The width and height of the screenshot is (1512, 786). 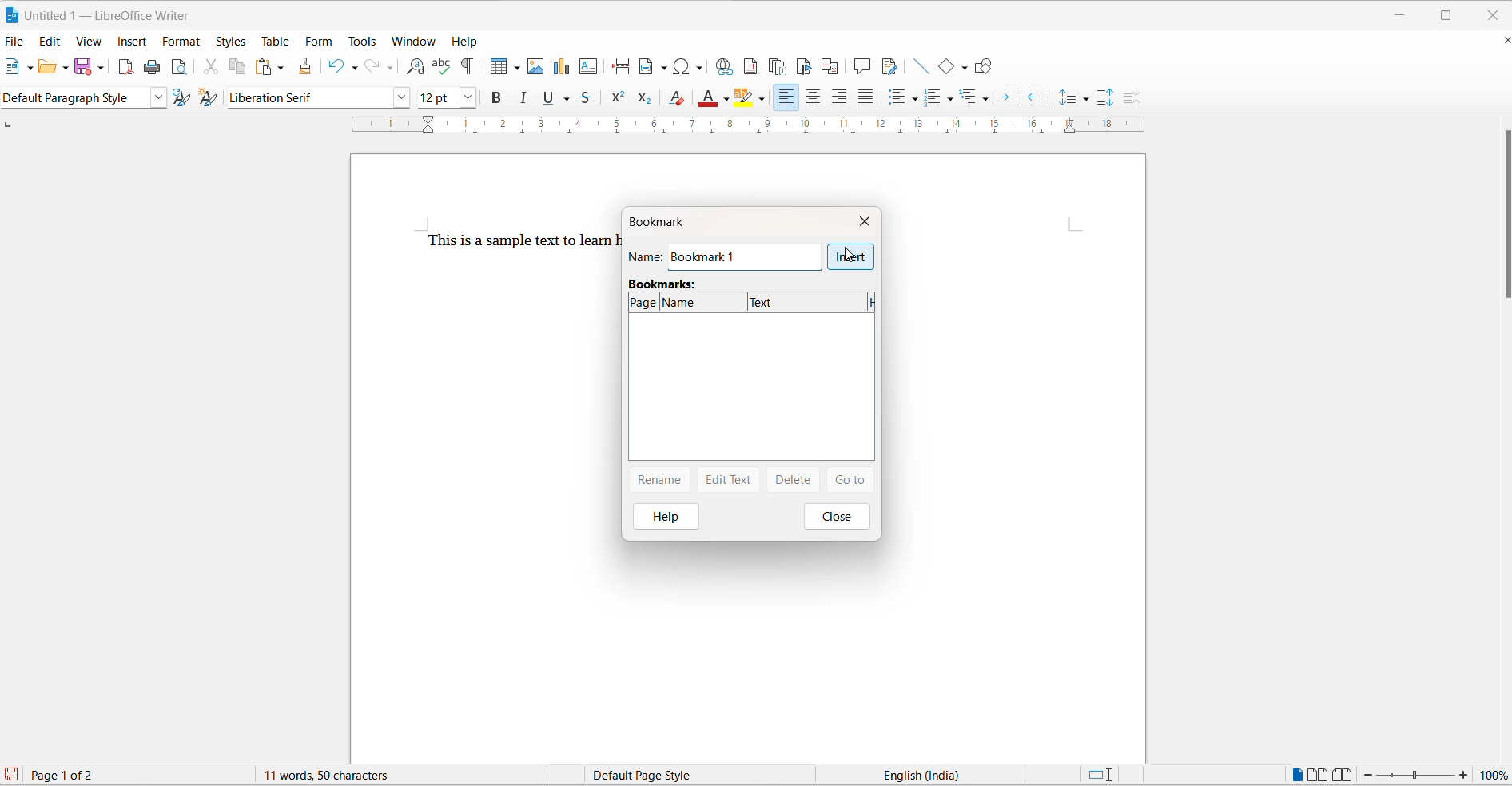 What do you see at coordinates (307, 63) in the screenshot?
I see `clone formatting` at bounding box center [307, 63].